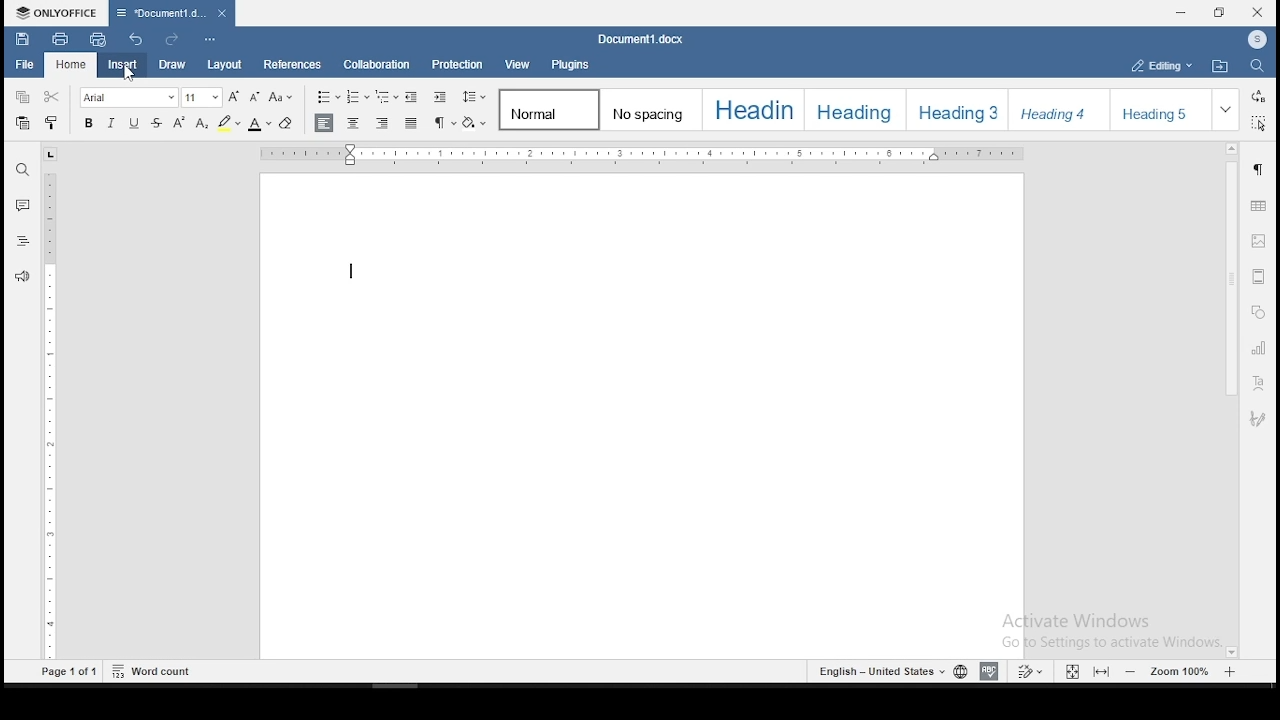  What do you see at coordinates (1260, 348) in the screenshot?
I see `charts settings` at bounding box center [1260, 348].